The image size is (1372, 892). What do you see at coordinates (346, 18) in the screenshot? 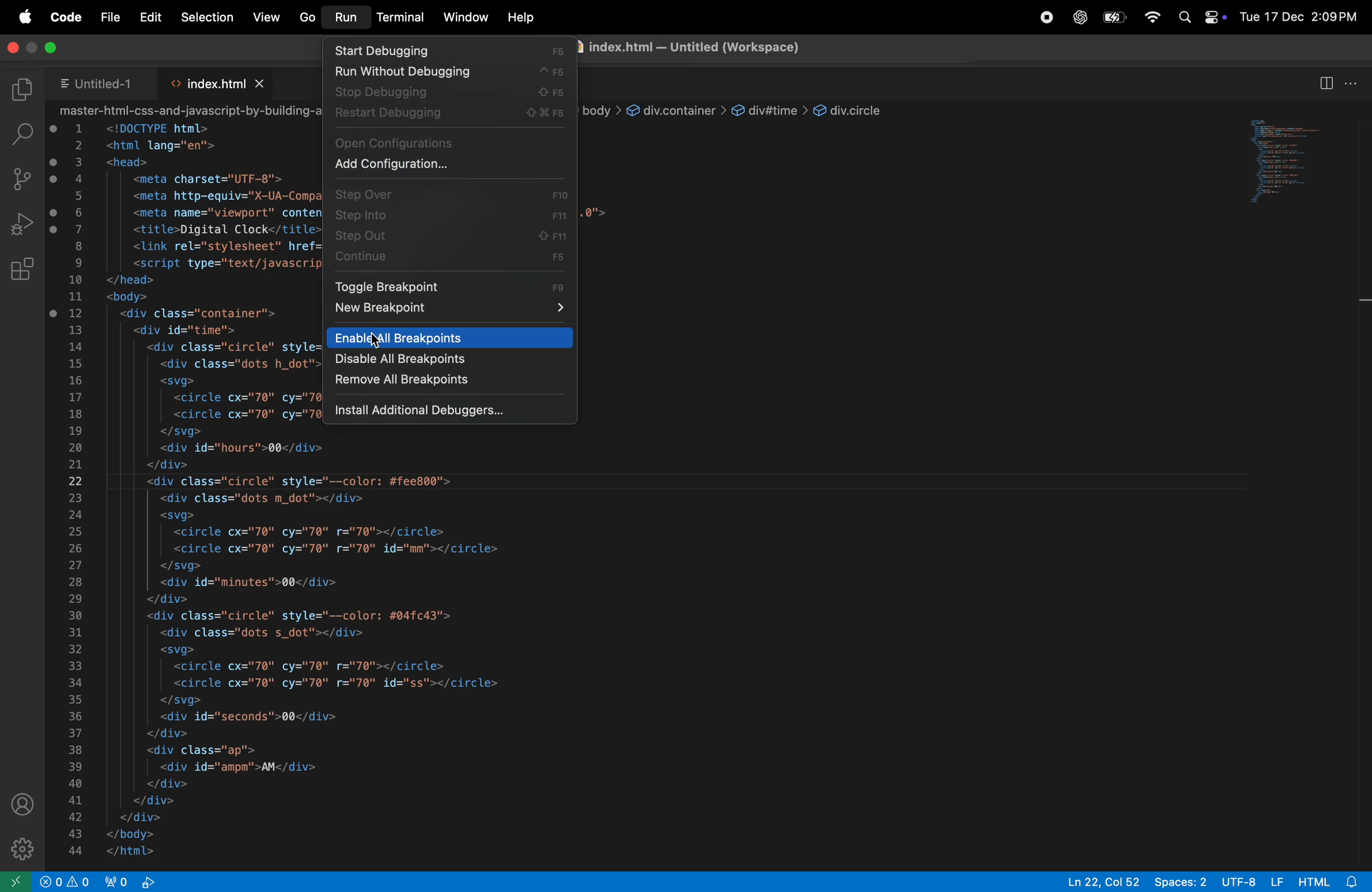
I see `run` at bounding box center [346, 18].